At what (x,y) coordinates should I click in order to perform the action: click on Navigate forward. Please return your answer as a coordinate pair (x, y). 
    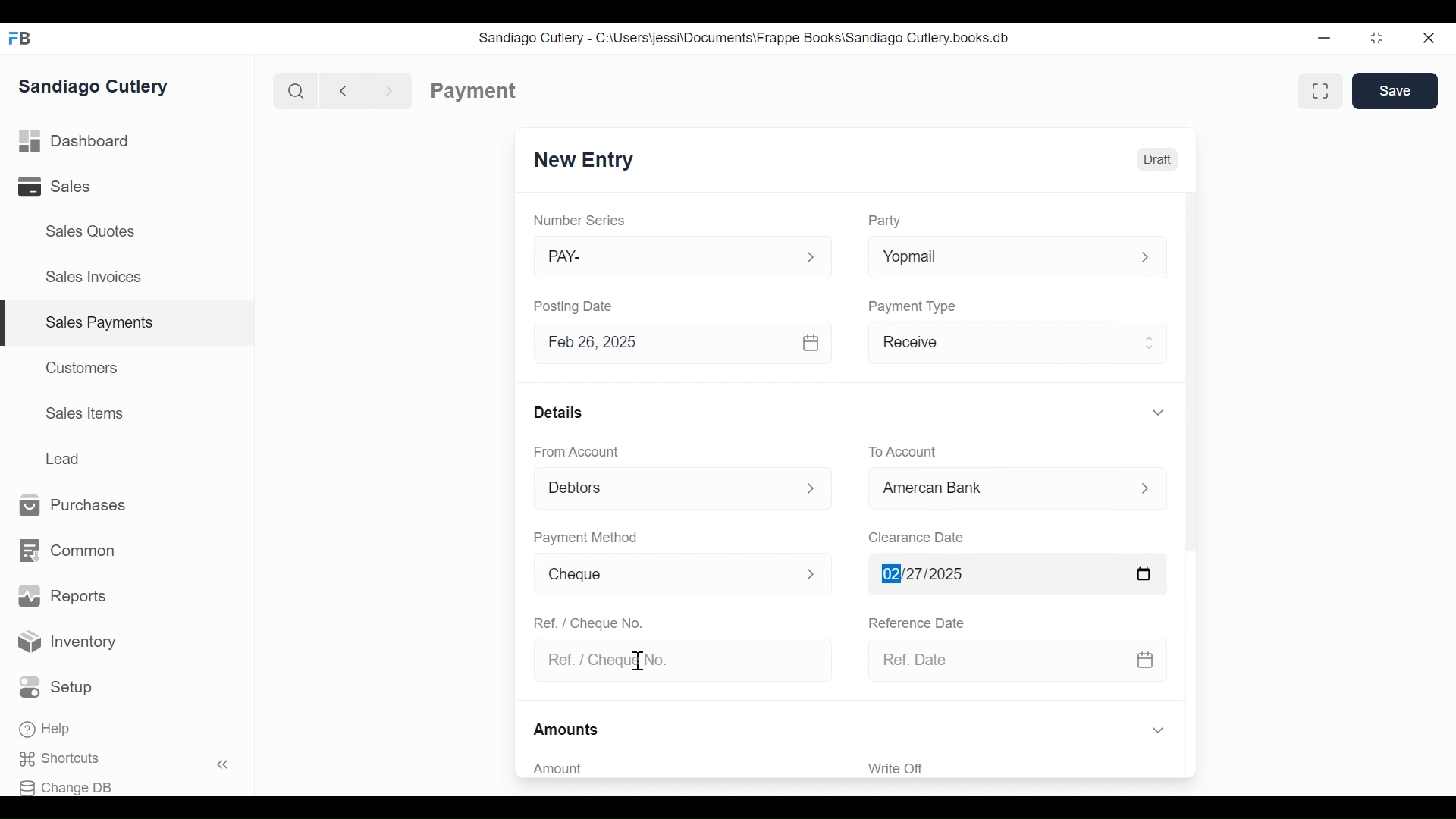
    Looking at the image, I should click on (390, 89).